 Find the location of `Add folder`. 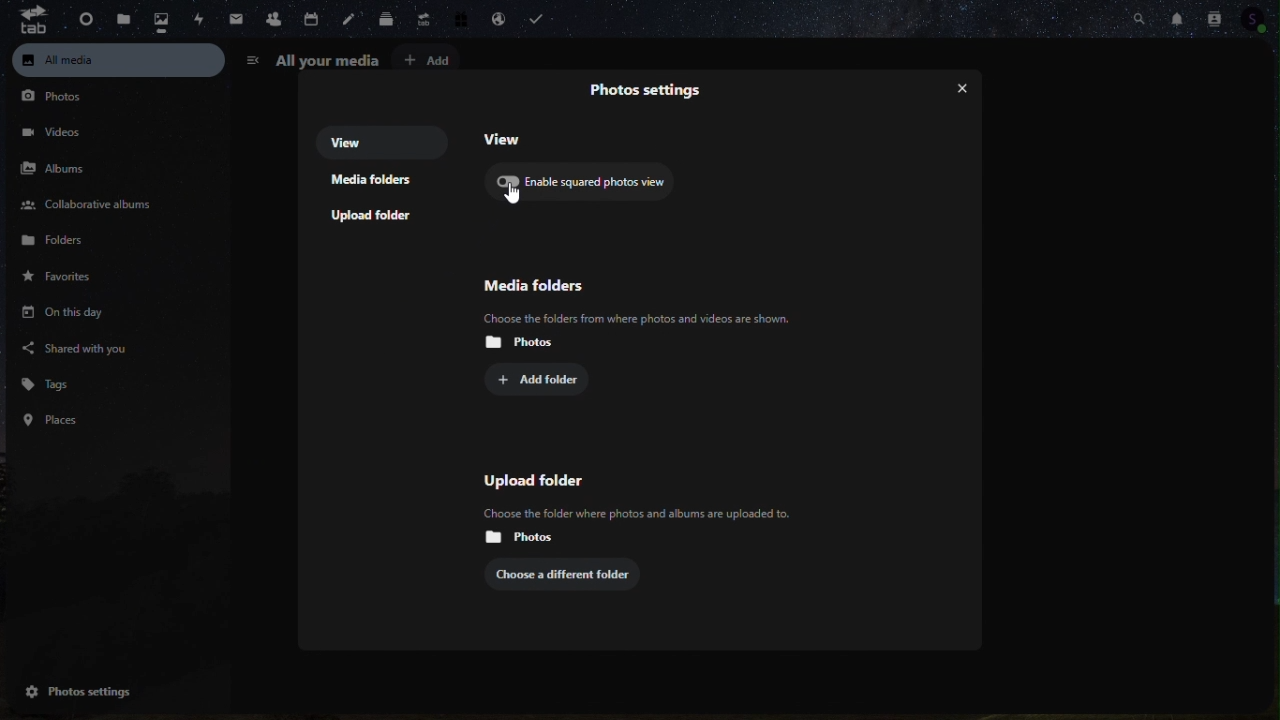

Add folder is located at coordinates (547, 381).